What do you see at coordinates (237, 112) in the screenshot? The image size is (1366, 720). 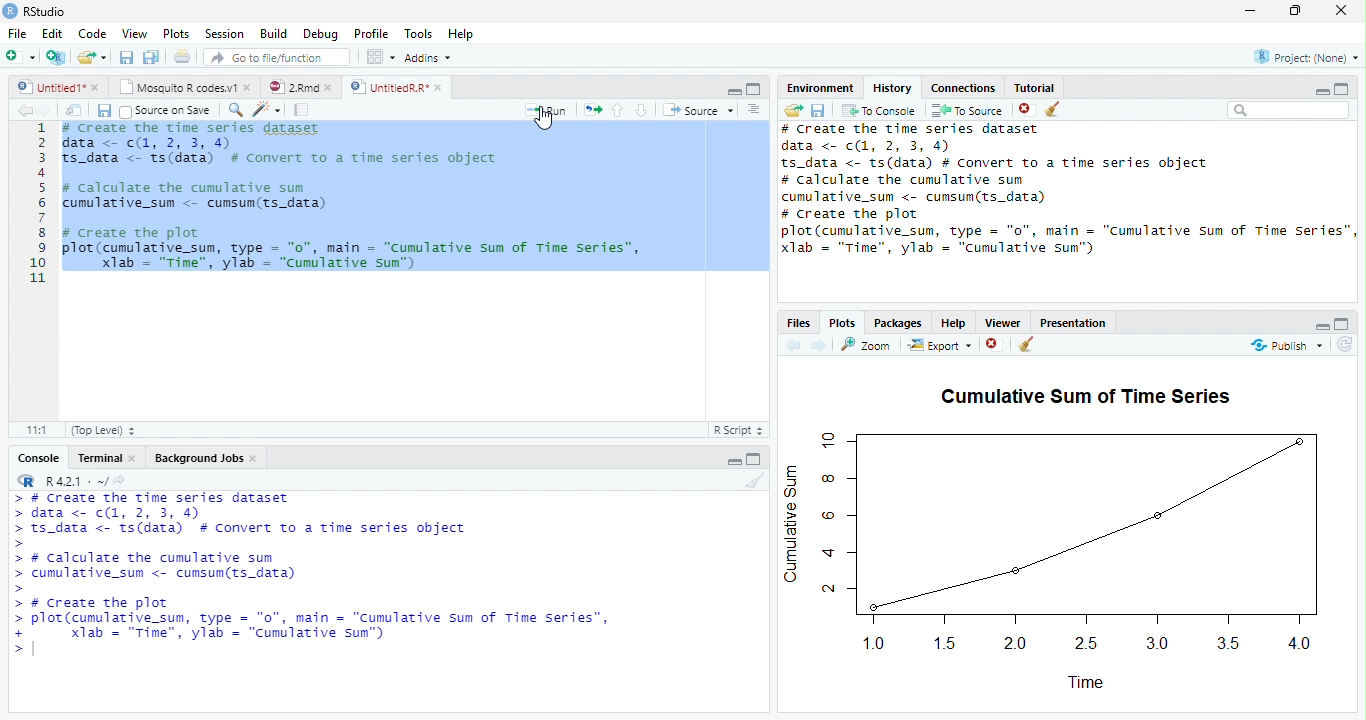 I see `Zoom` at bounding box center [237, 112].